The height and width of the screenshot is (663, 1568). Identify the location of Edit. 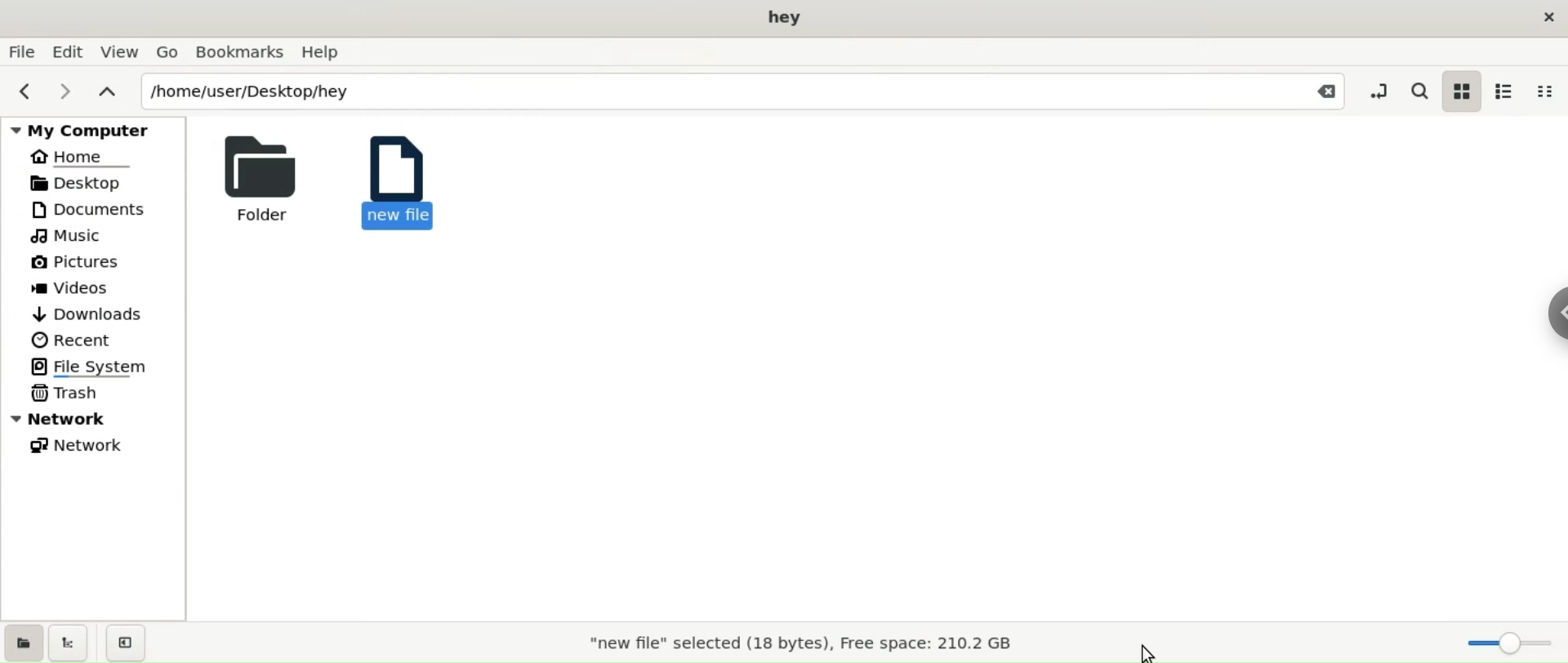
(69, 51).